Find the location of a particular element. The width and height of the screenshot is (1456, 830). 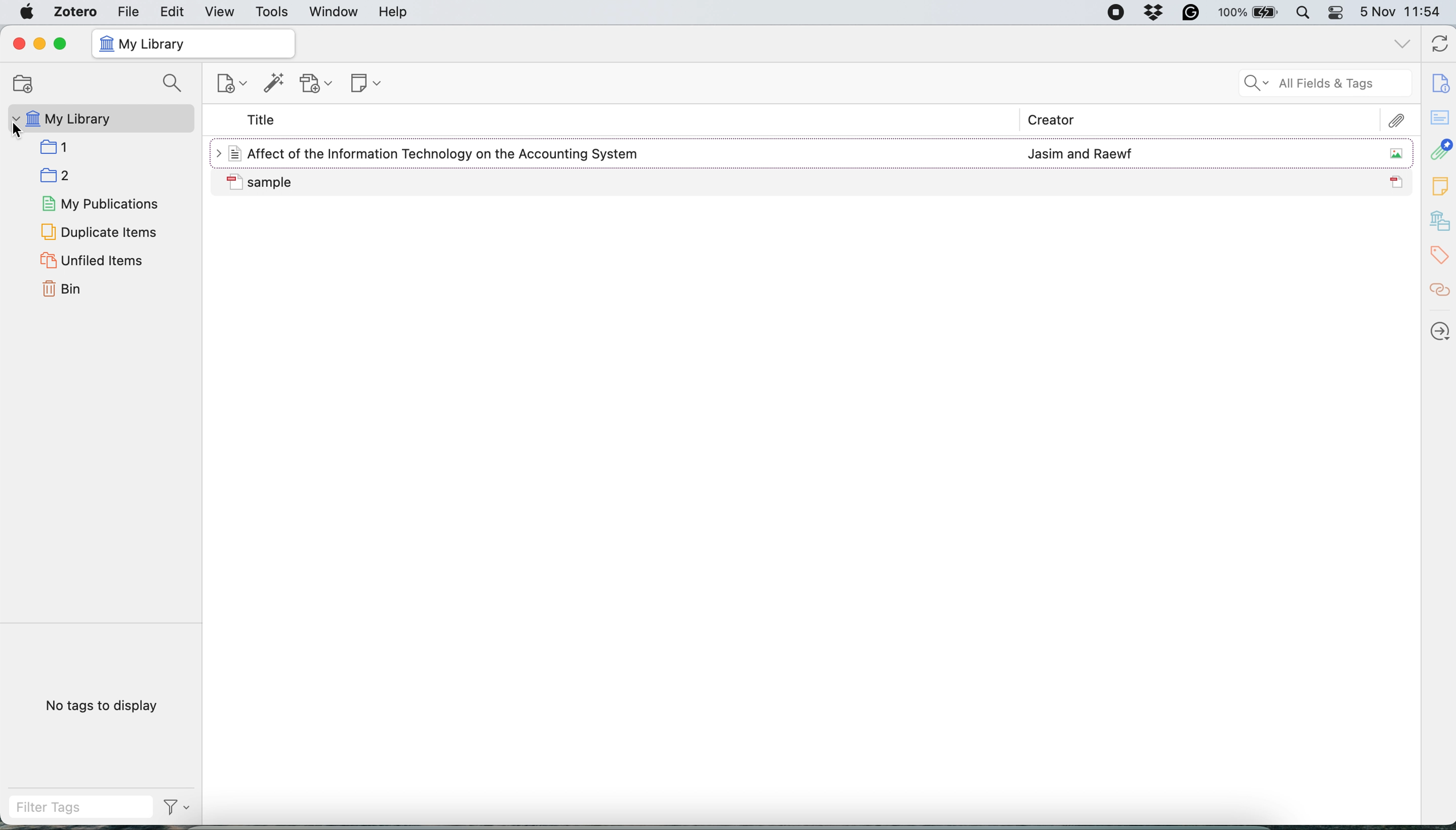

battery is located at coordinates (1245, 11).